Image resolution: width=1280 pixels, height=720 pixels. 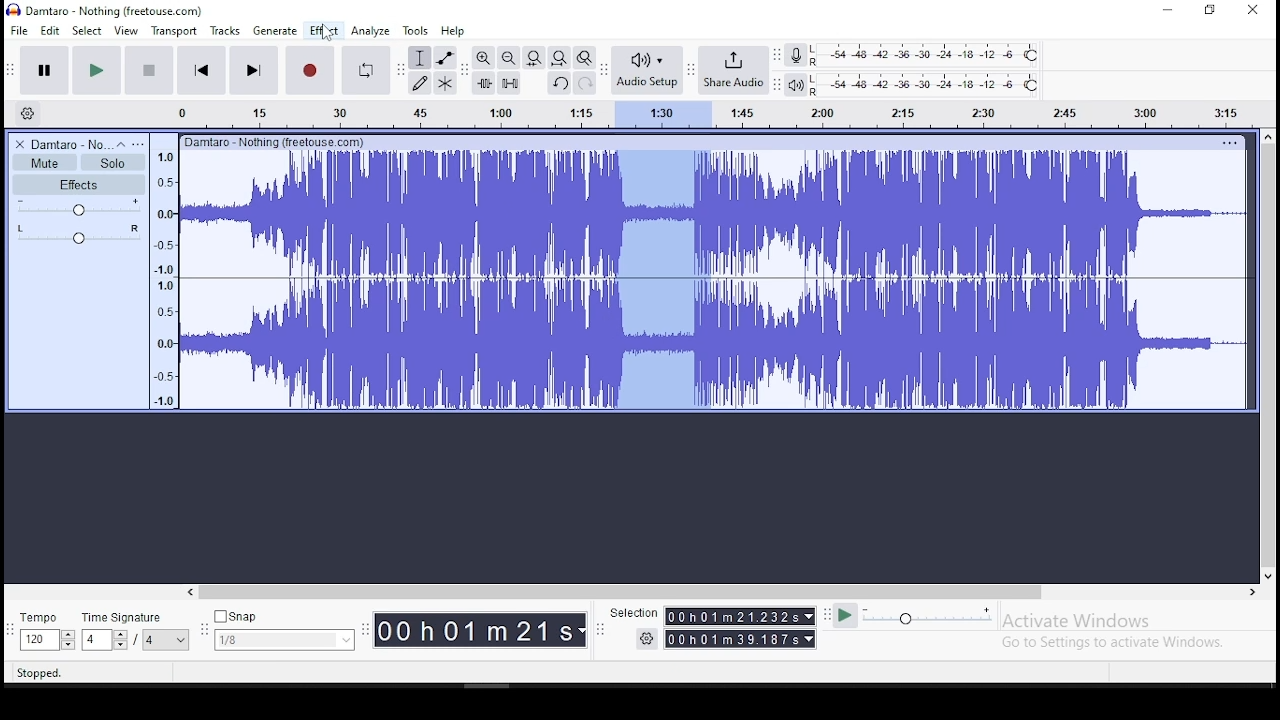 I want to click on , so click(x=776, y=83).